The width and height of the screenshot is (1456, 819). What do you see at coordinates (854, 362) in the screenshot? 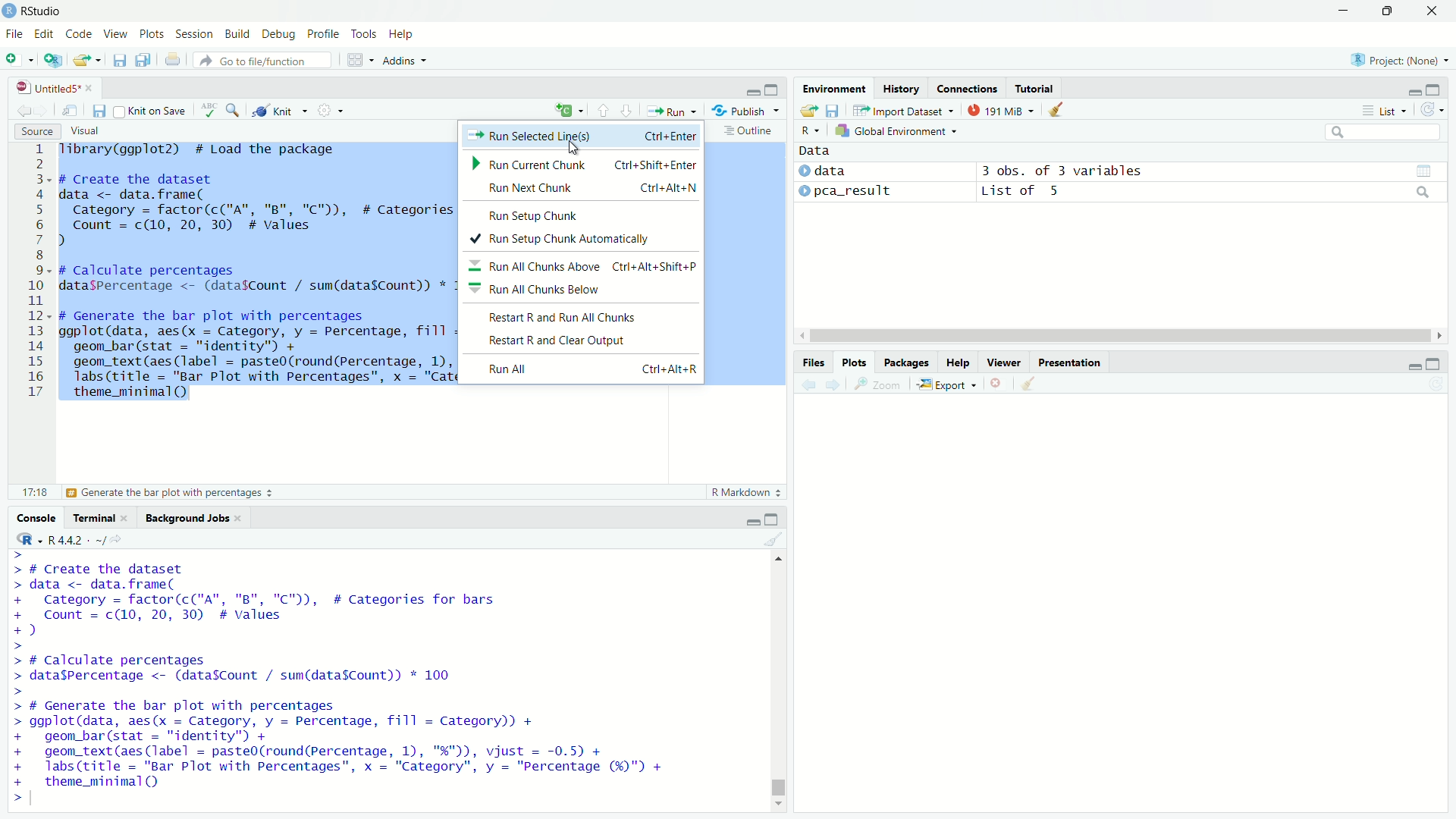
I see `Plots` at bounding box center [854, 362].